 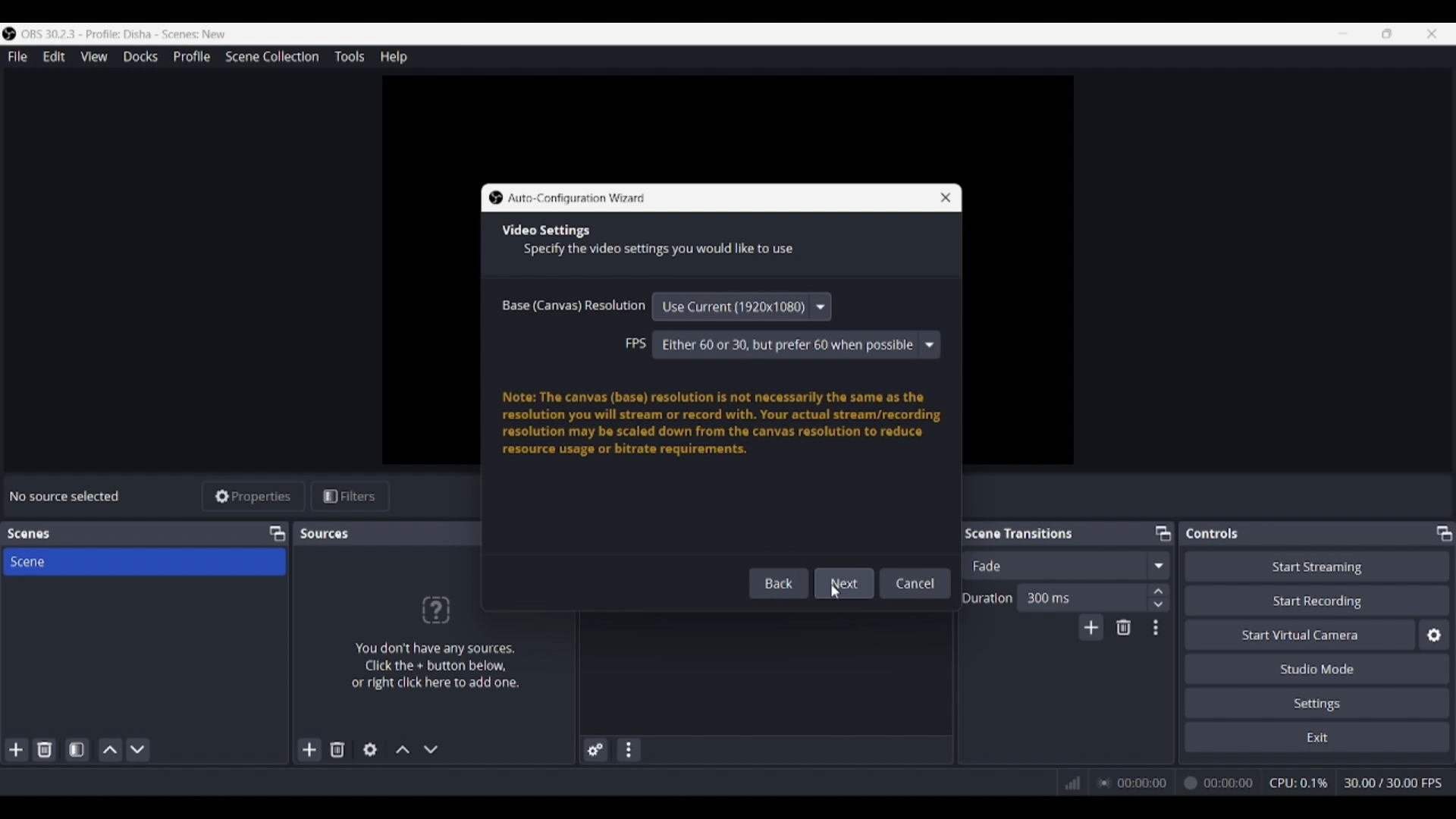 What do you see at coordinates (403, 749) in the screenshot?
I see `Move source up` at bounding box center [403, 749].